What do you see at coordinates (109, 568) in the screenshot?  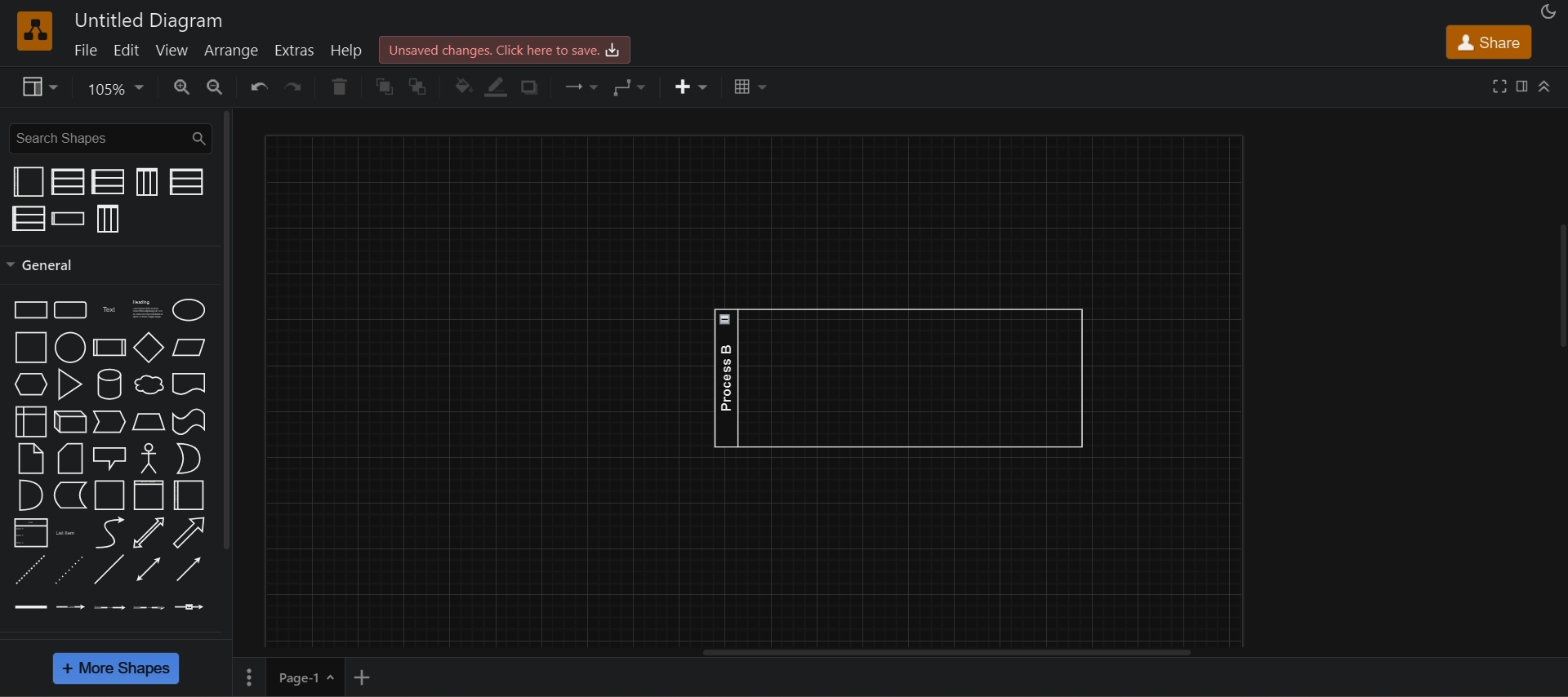 I see `line` at bounding box center [109, 568].